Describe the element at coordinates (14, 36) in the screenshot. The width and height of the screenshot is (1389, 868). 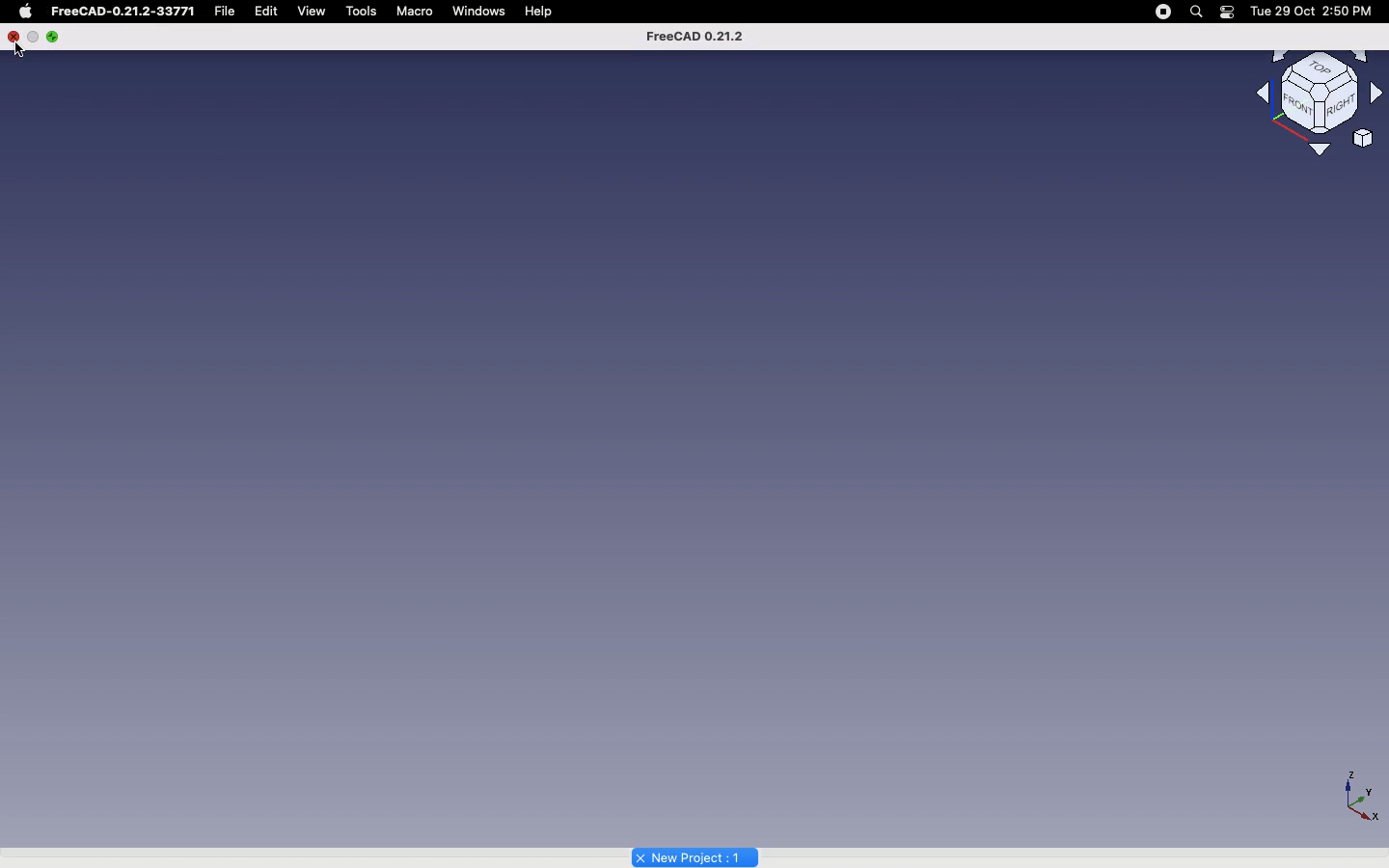
I see `Clicking on close` at that location.